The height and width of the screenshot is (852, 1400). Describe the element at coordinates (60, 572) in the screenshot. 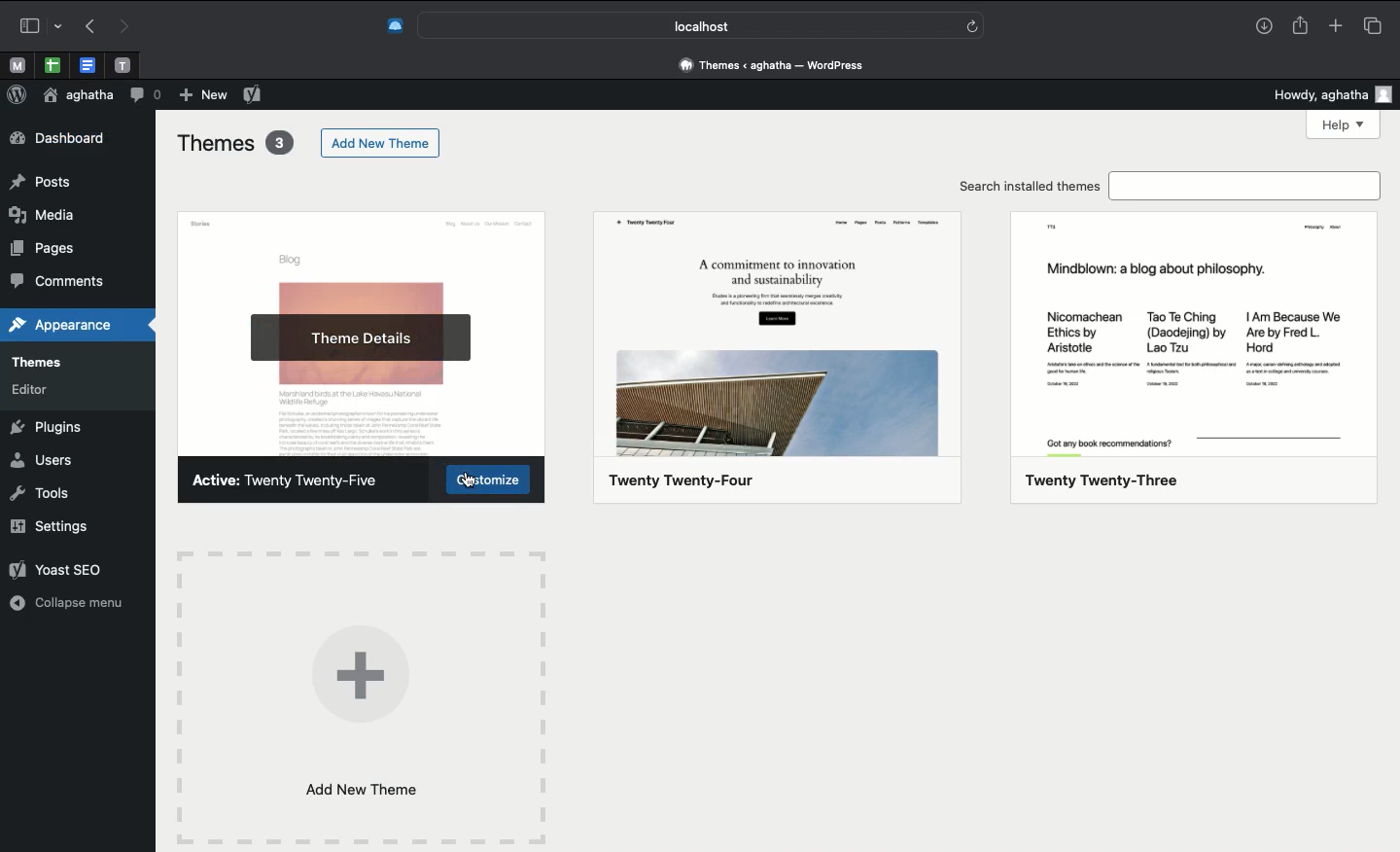

I see `Yoast SEO` at that location.